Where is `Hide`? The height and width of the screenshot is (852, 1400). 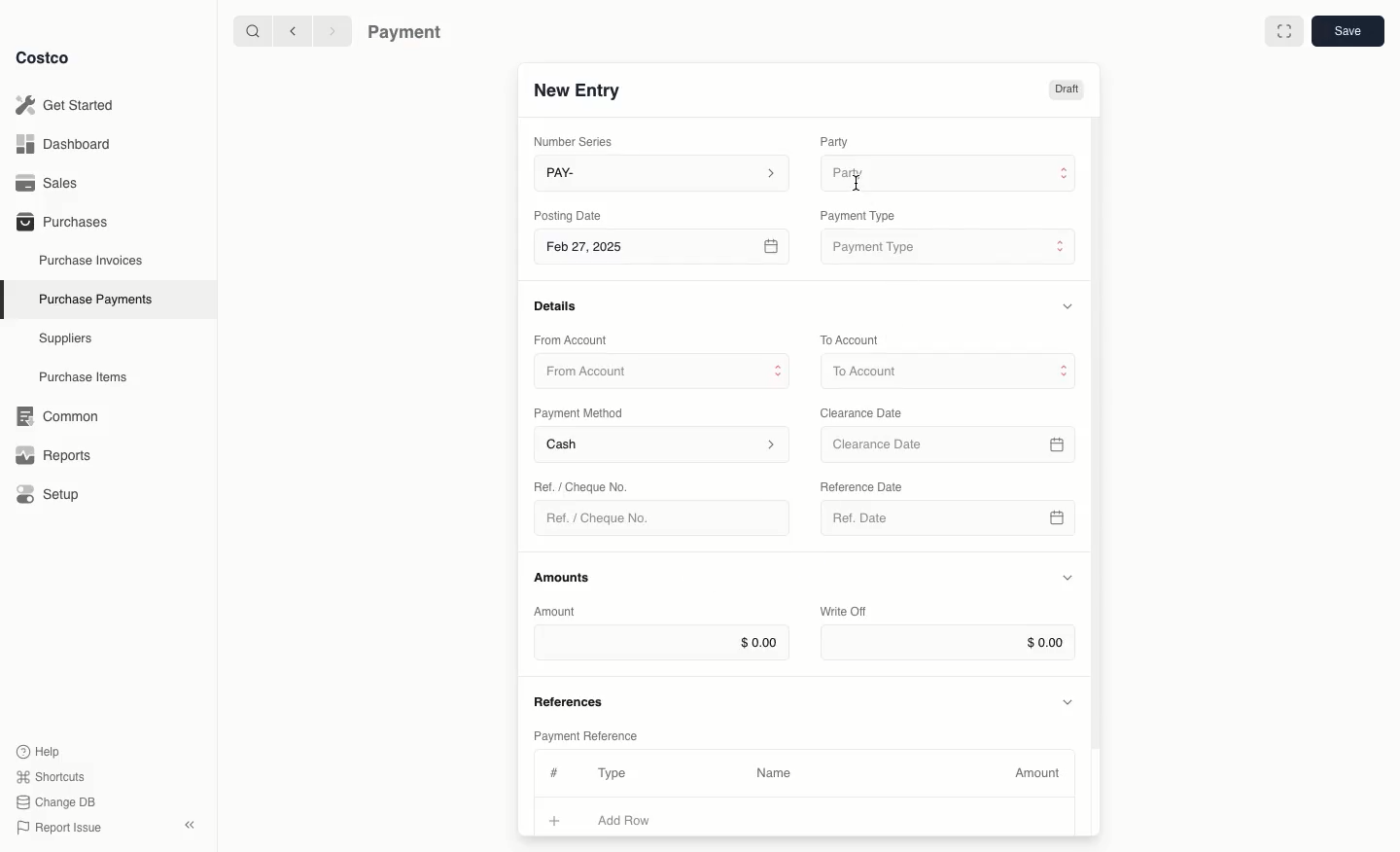 Hide is located at coordinates (1070, 305).